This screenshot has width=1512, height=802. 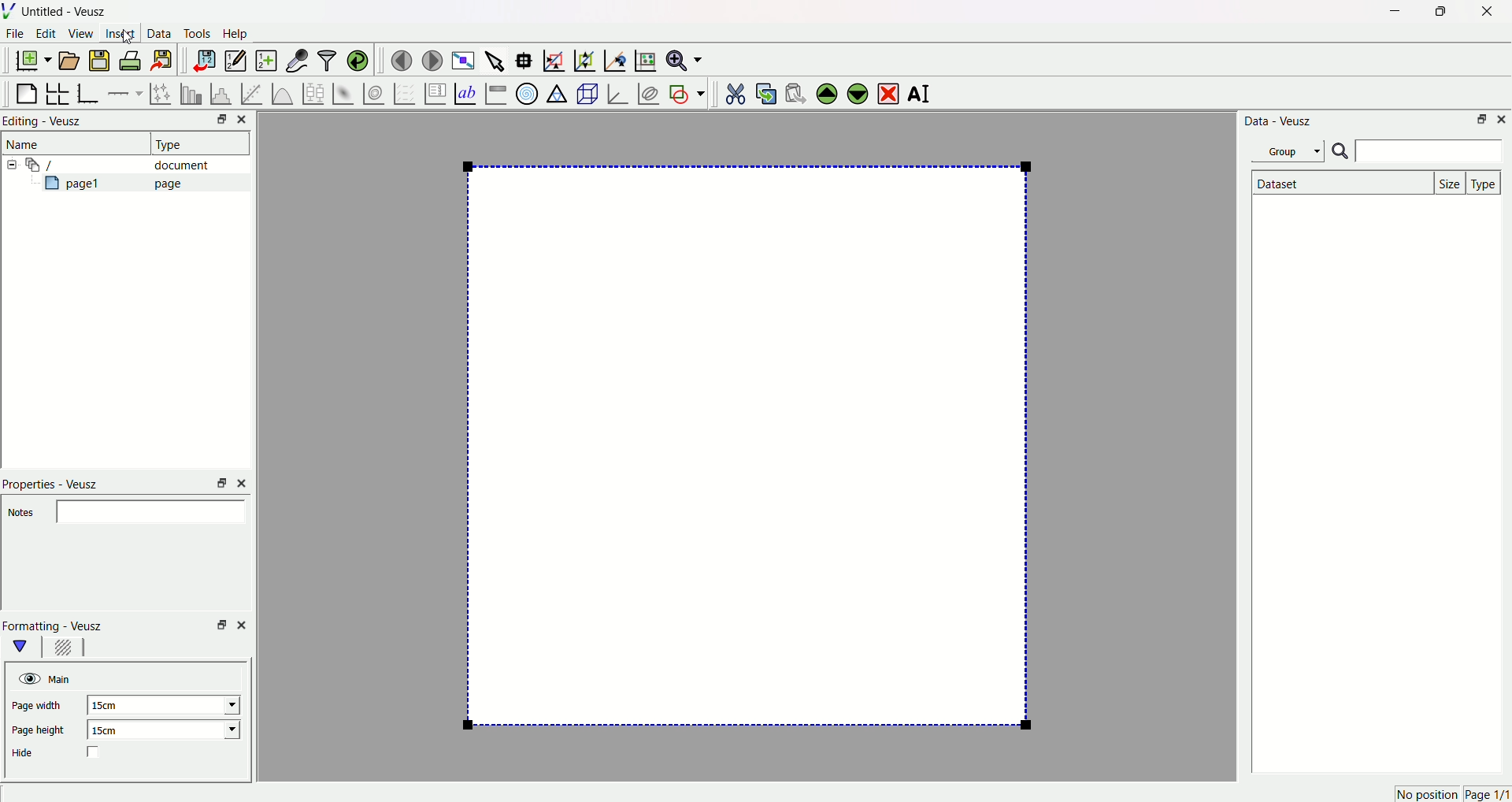 What do you see at coordinates (70, 60) in the screenshot?
I see `open document` at bounding box center [70, 60].